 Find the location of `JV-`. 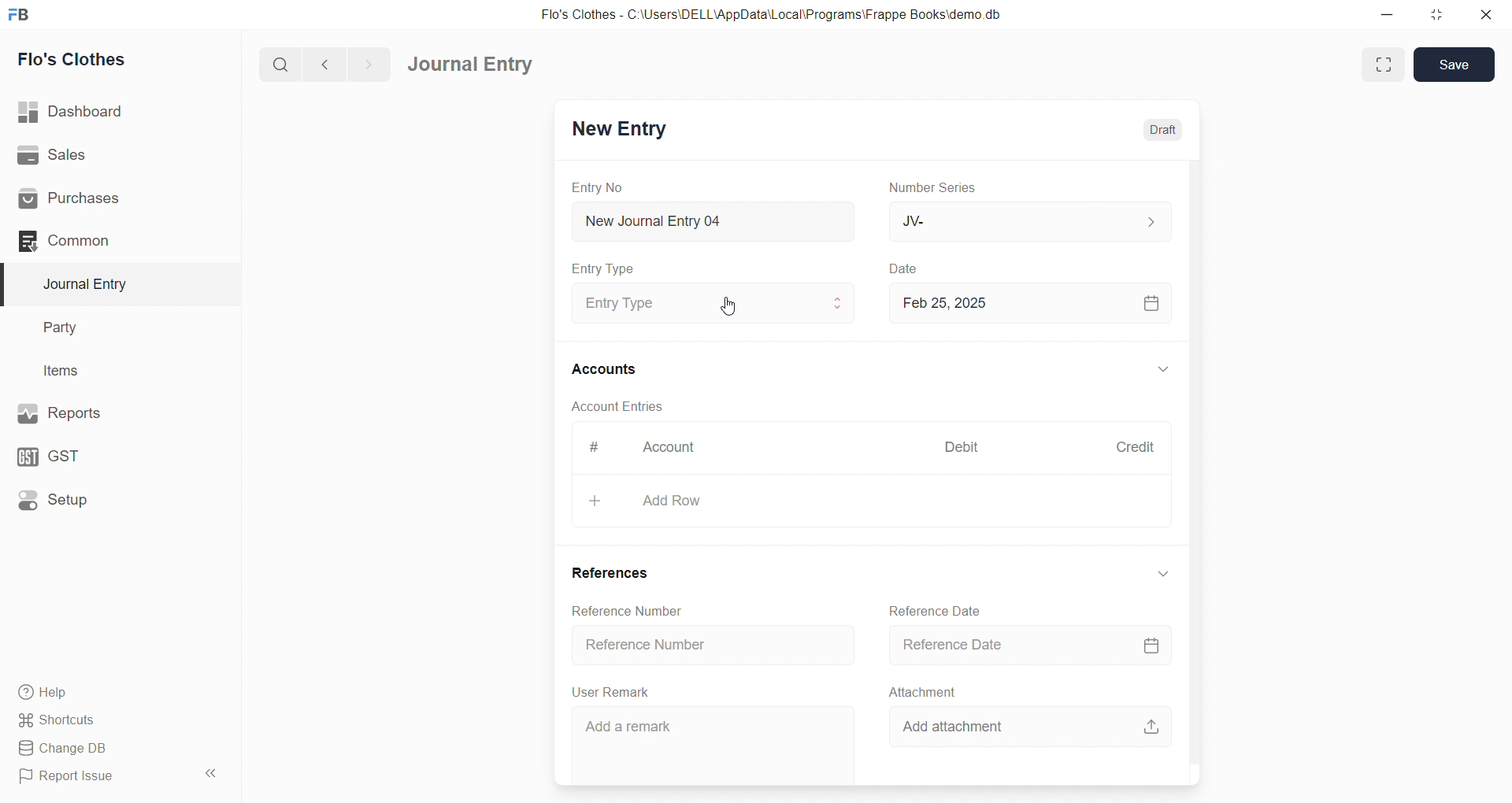

JV- is located at coordinates (1027, 220).